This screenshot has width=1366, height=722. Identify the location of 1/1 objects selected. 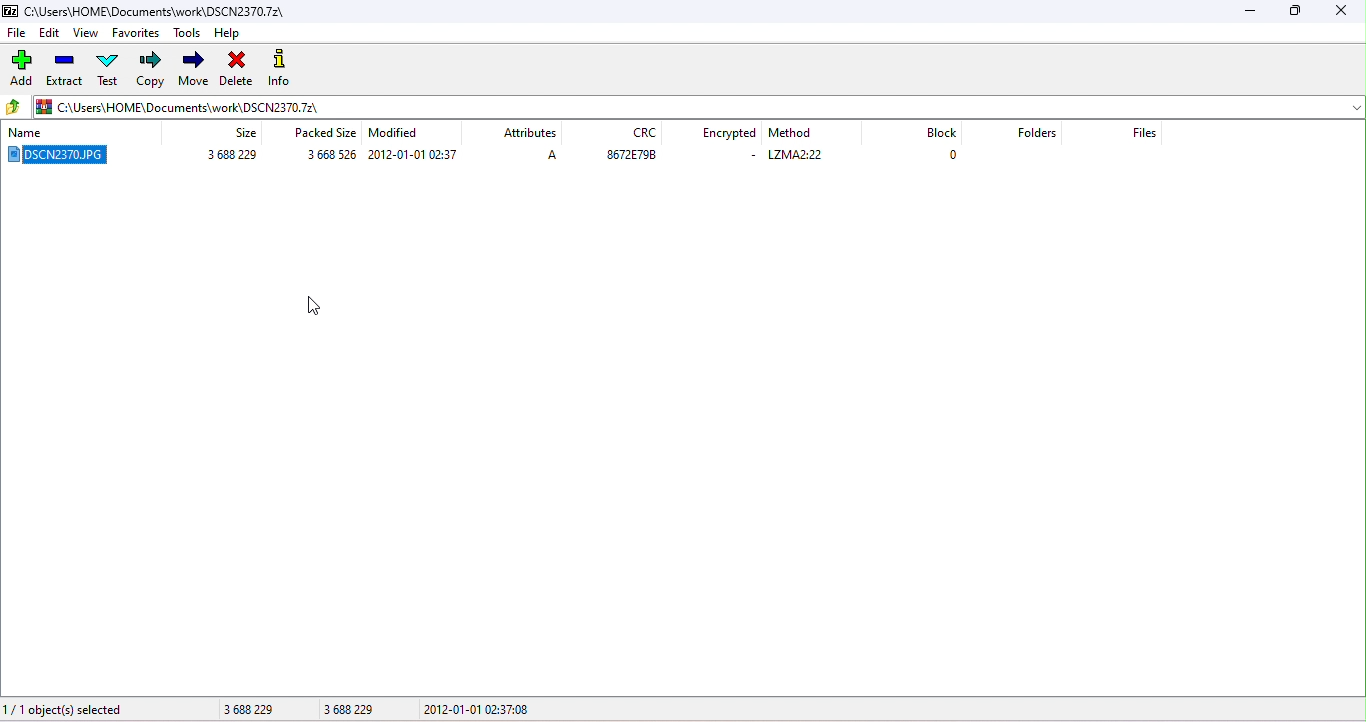
(96, 708).